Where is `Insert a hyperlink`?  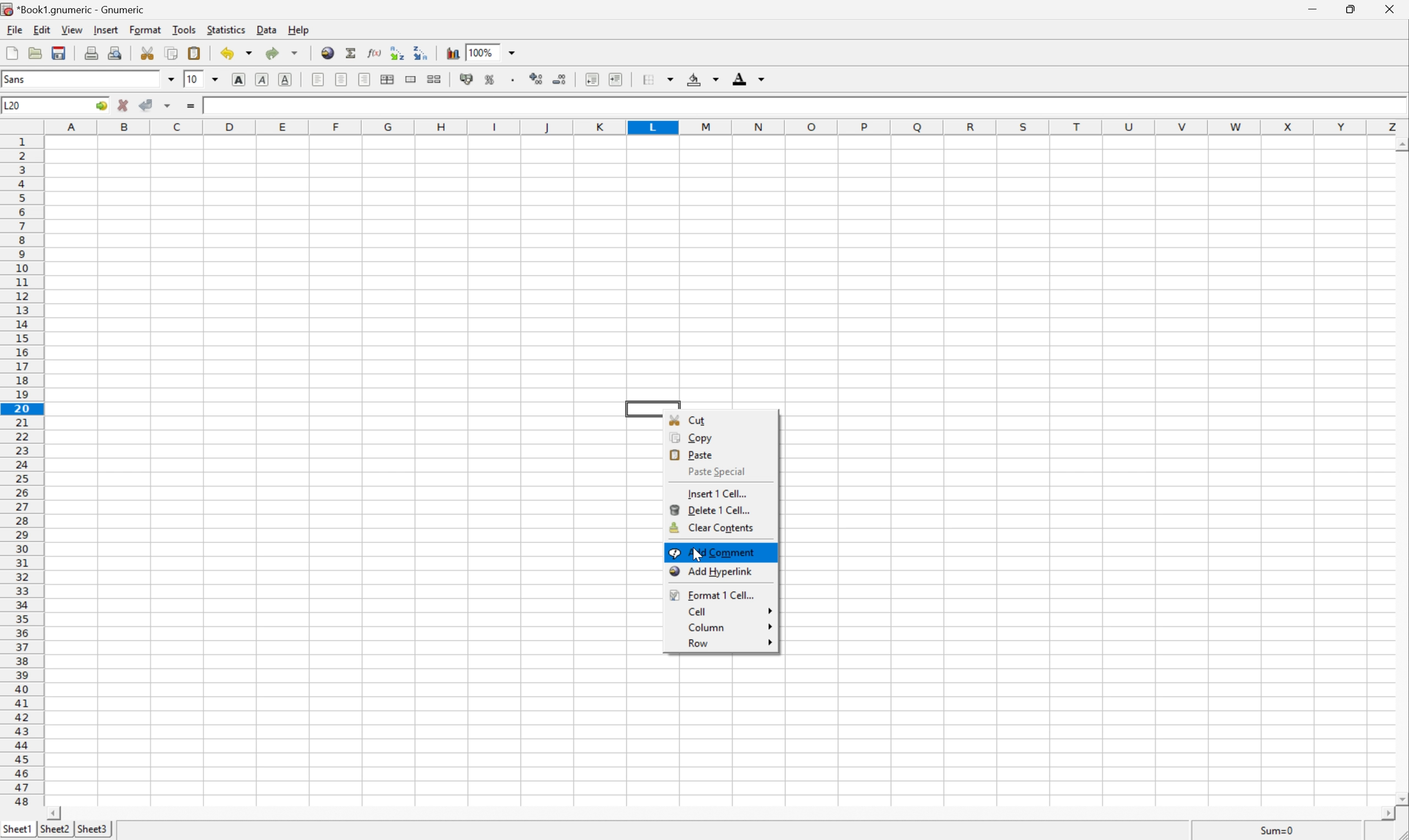 Insert a hyperlink is located at coordinates (328, 53).